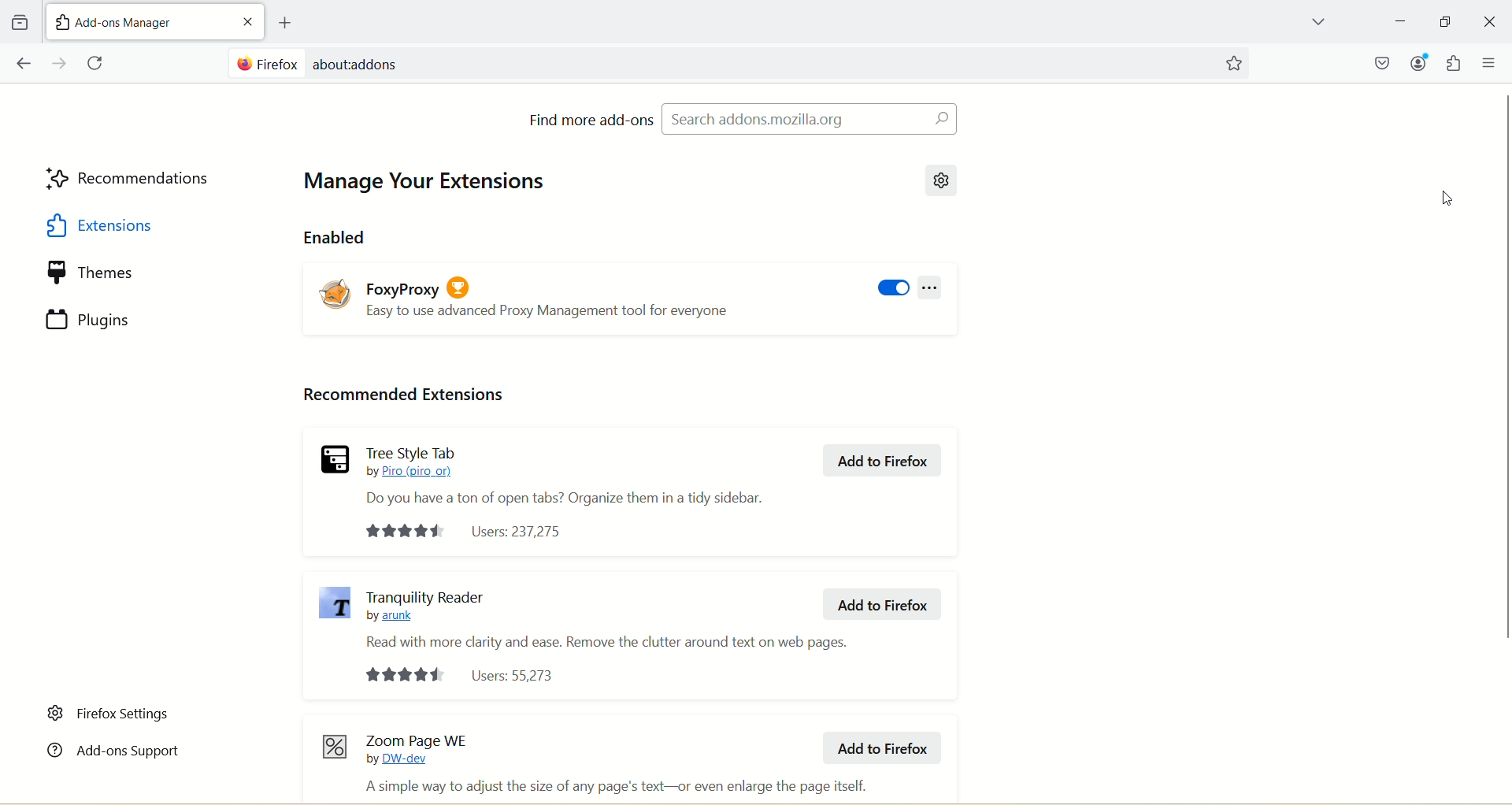  Describe the element at coordinates (246, 24) in the screenshot. I see `Close` at that location.